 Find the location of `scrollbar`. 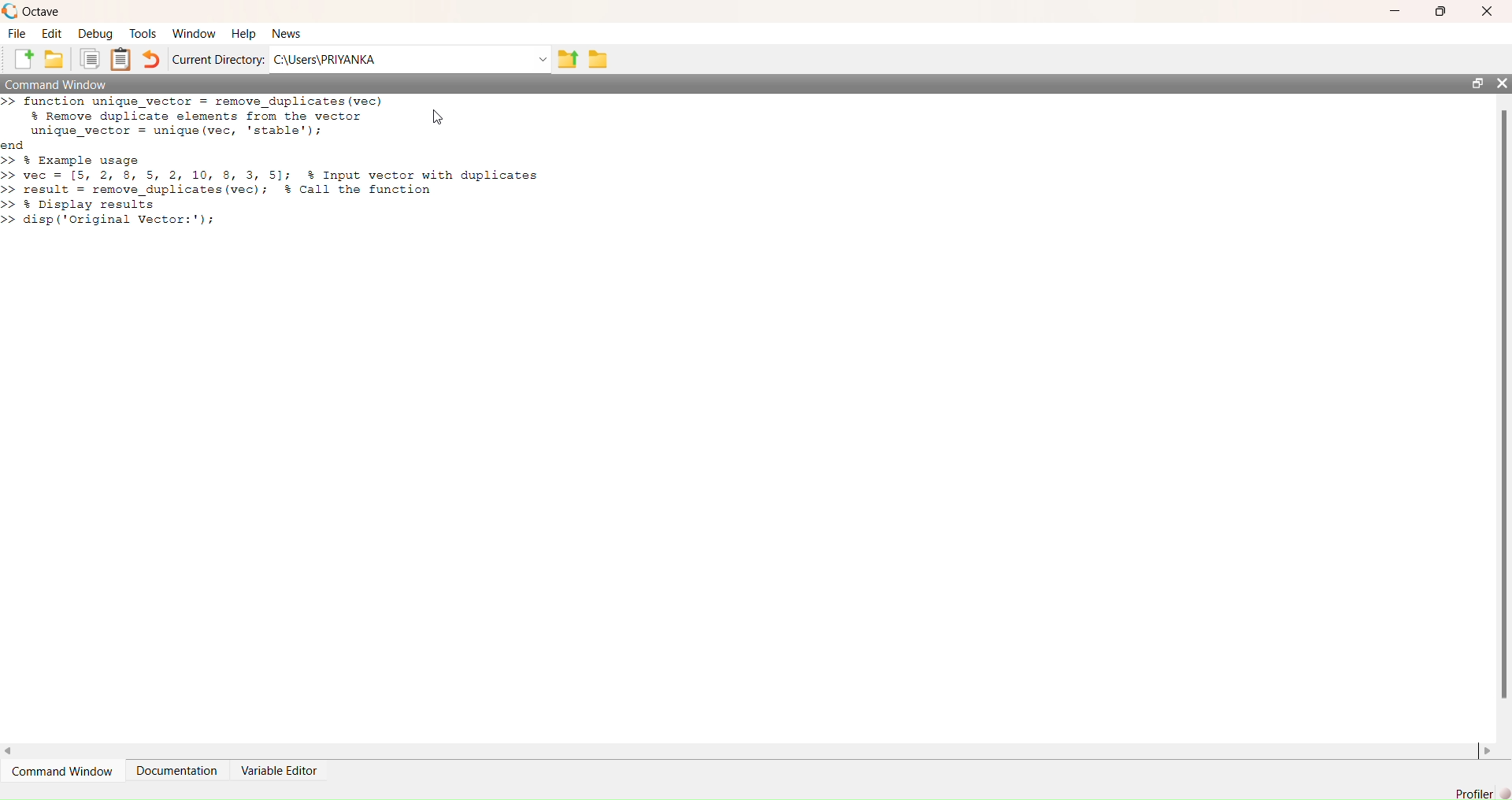

scrollbar is located at coordinates (1505, 405).